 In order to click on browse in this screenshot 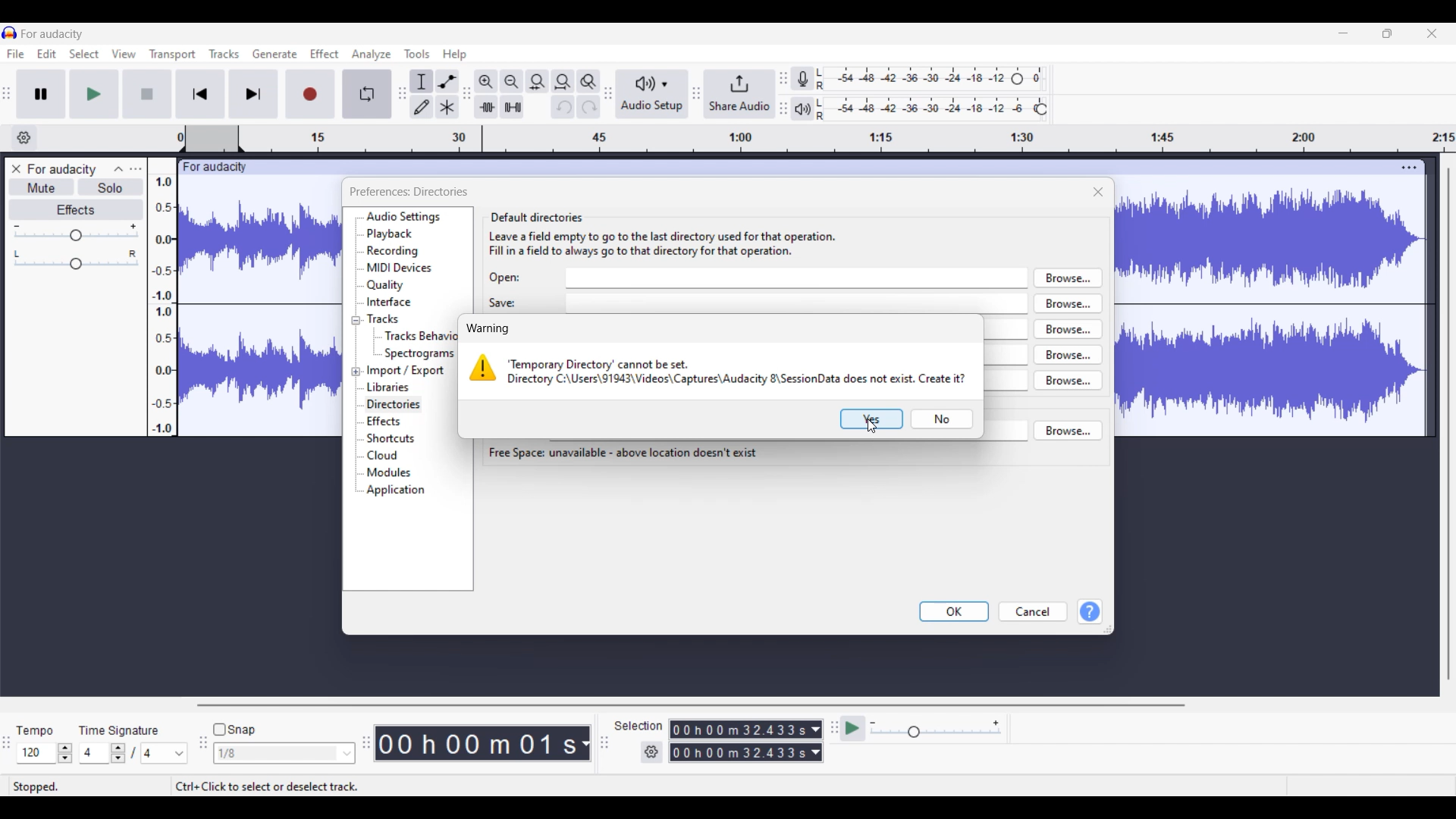, I will do `click(1068, 354)`.